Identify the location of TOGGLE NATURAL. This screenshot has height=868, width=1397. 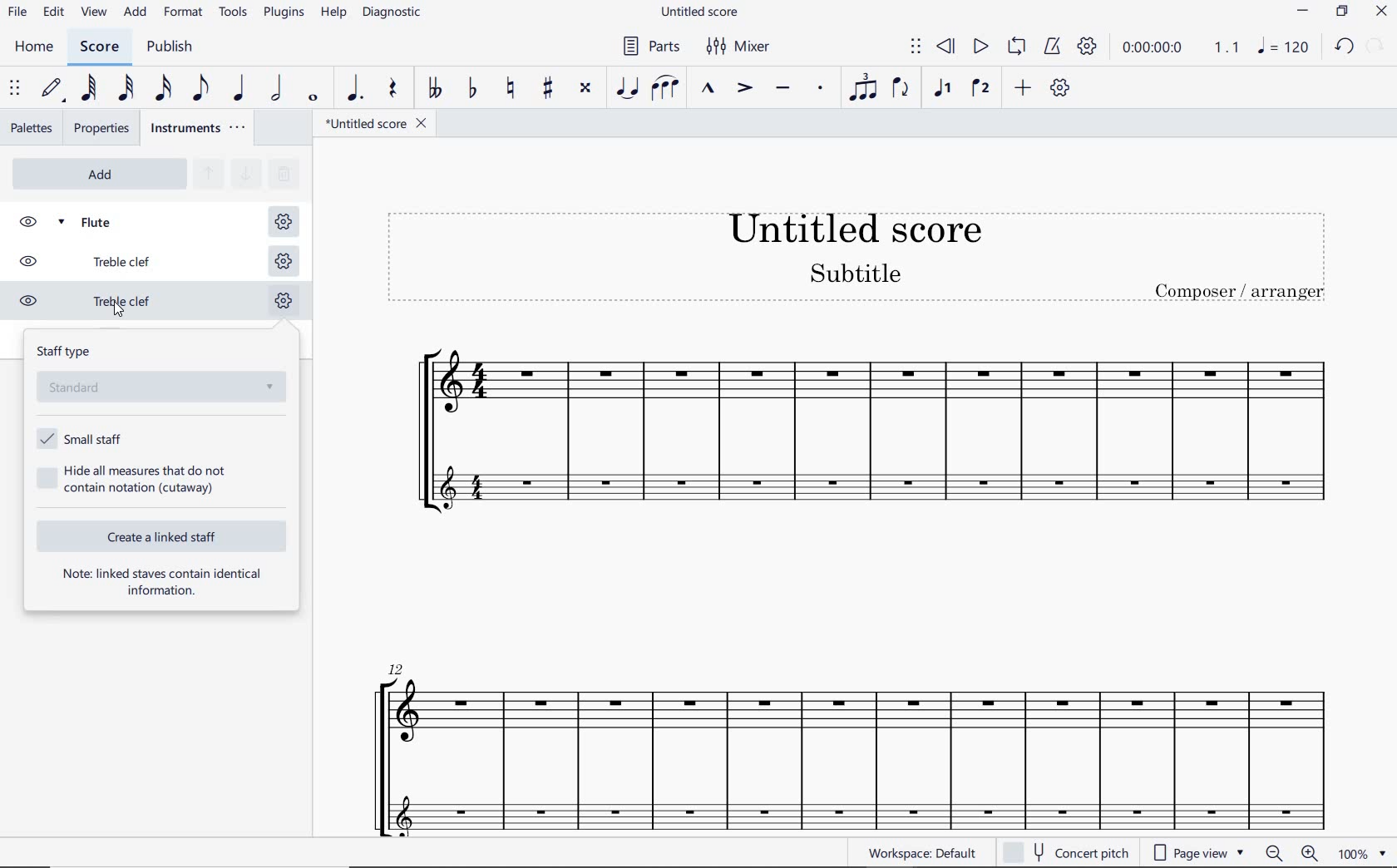
(510, 89).